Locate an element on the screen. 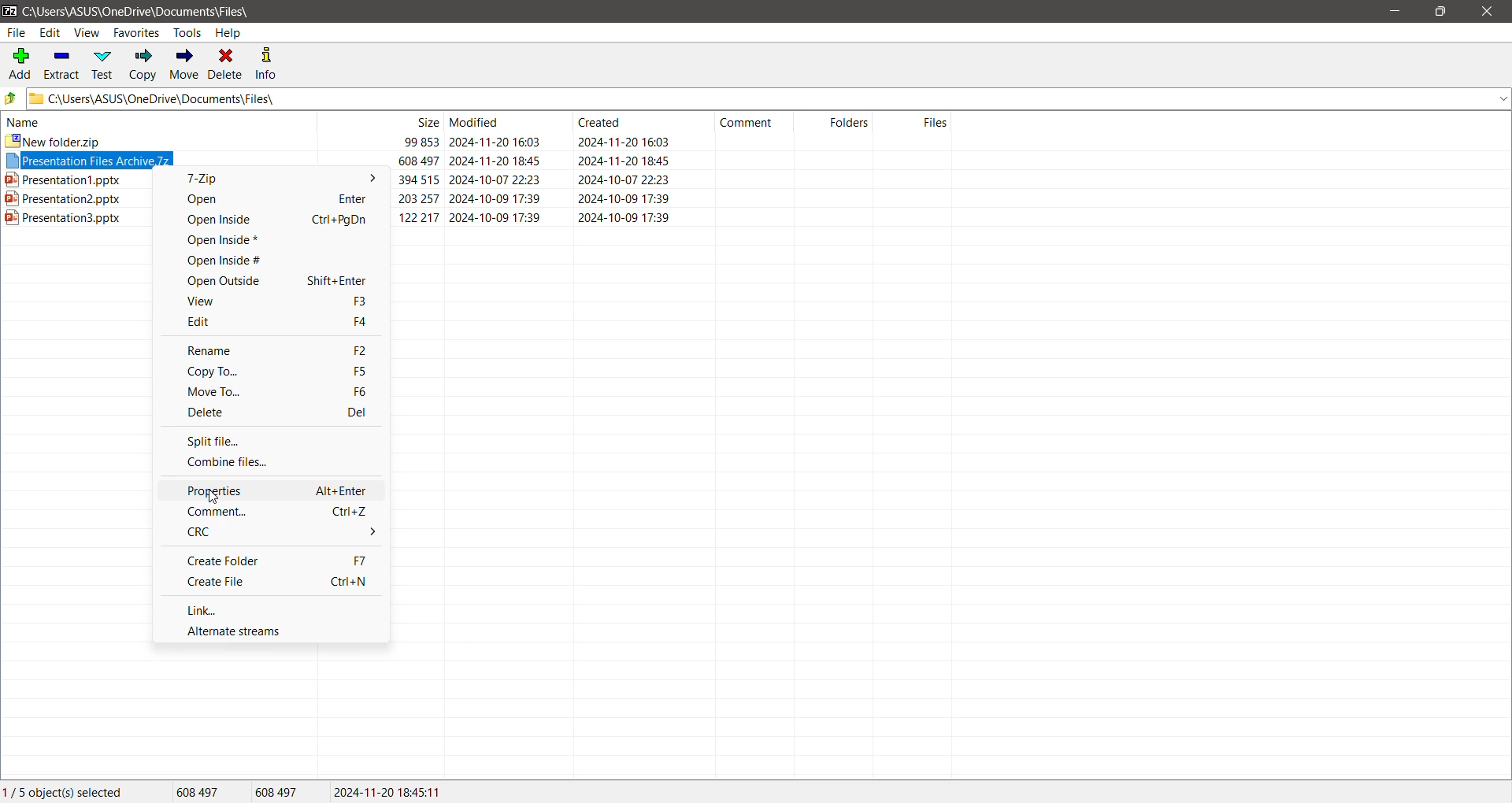 Image resolution: width=1512 pixels, height=803 pixels. Alternate streams is located at coordinates (235, 632).